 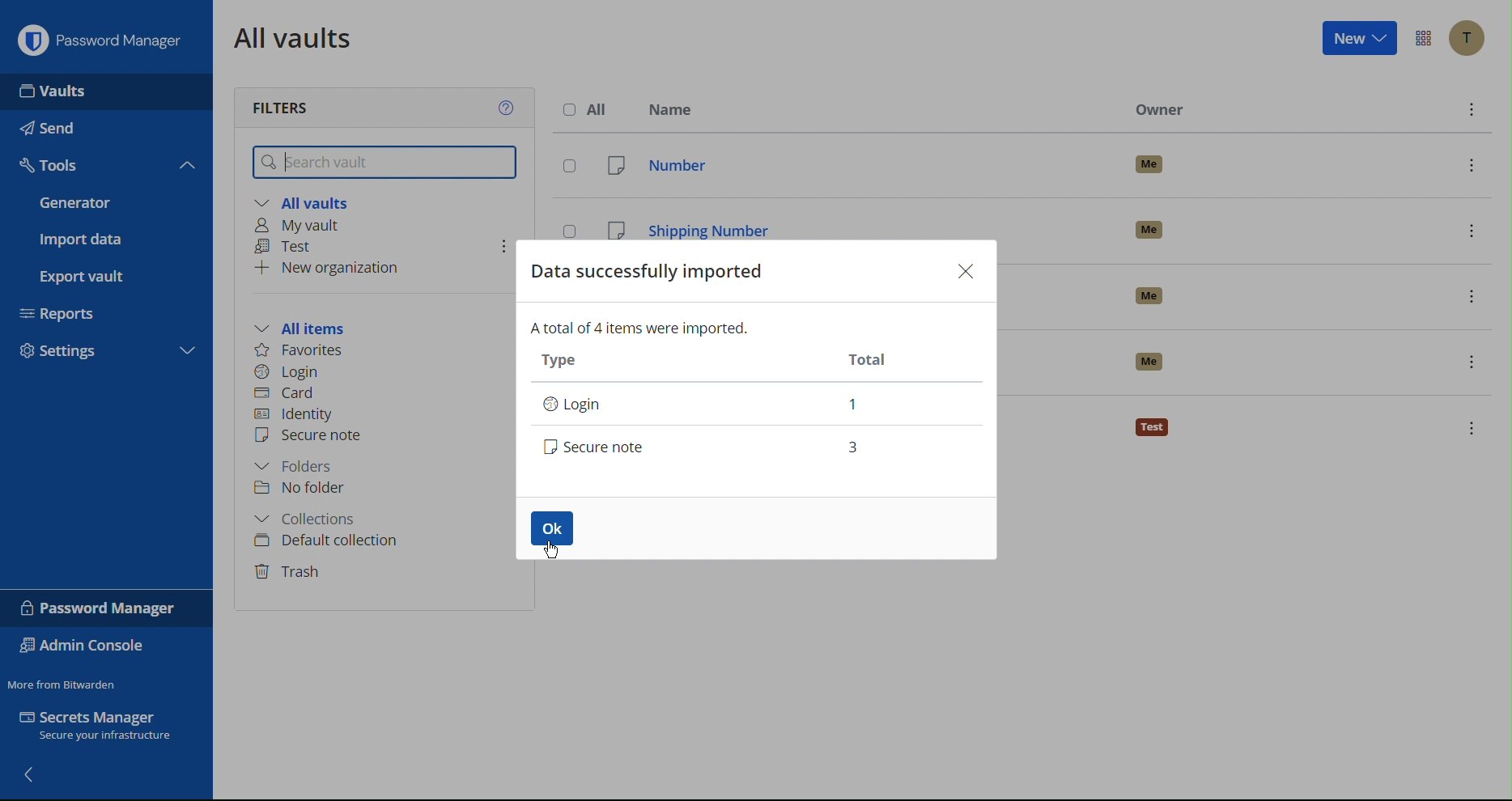 What do you see at coordinates (504, 246) in the screenshot?
I see `options` at bounding box center [504, 246].